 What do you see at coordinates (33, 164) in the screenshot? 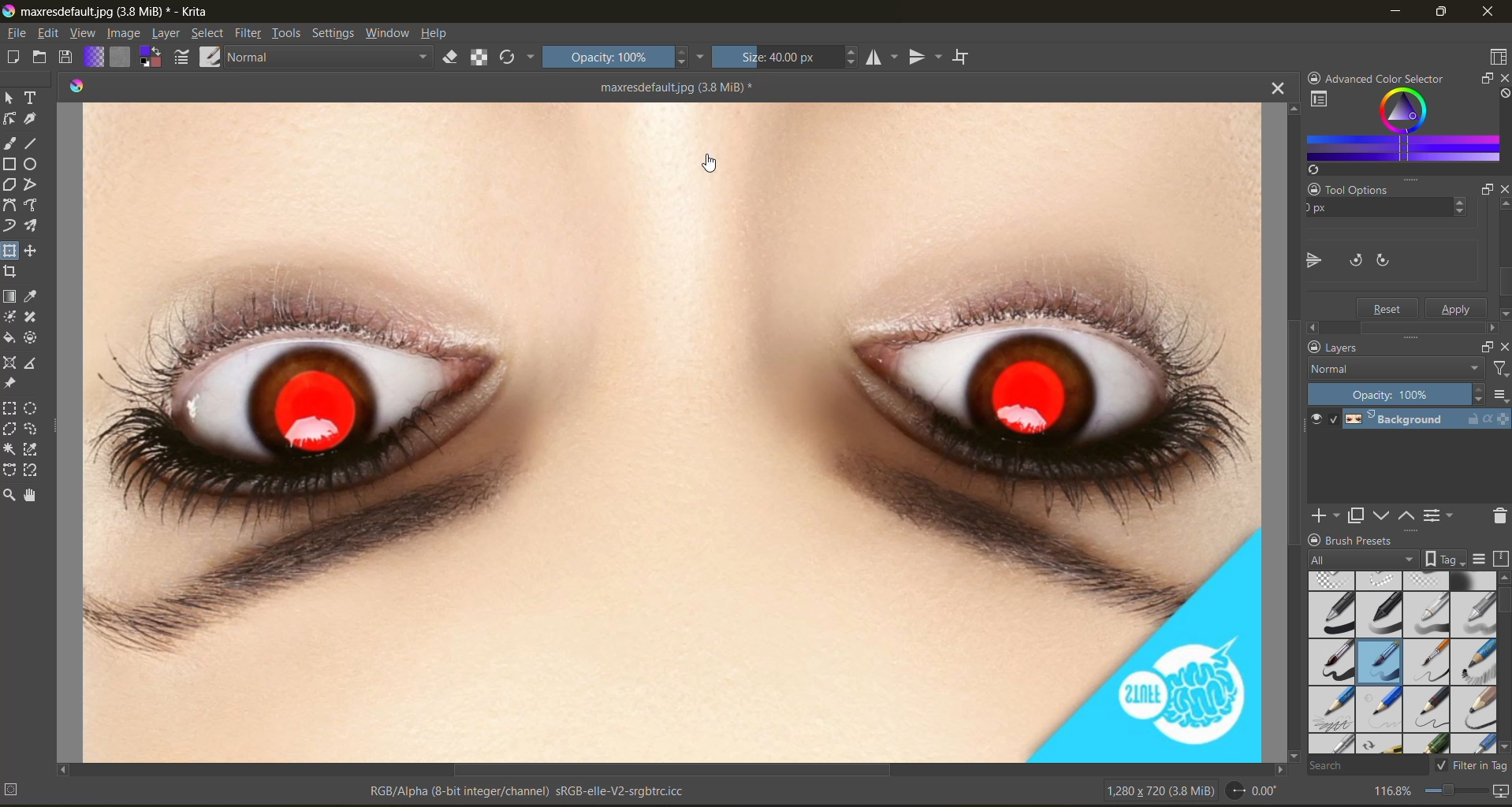
I see `tool` at bounding box center [33, 164].